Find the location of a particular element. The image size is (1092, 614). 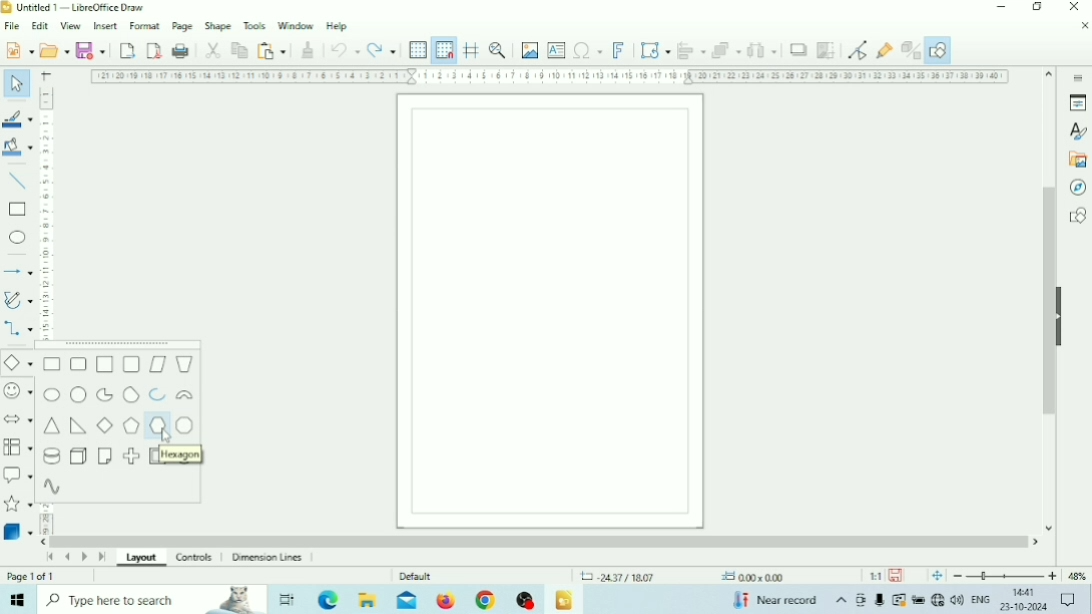

Rectangle is located at coordinates (52, 363).